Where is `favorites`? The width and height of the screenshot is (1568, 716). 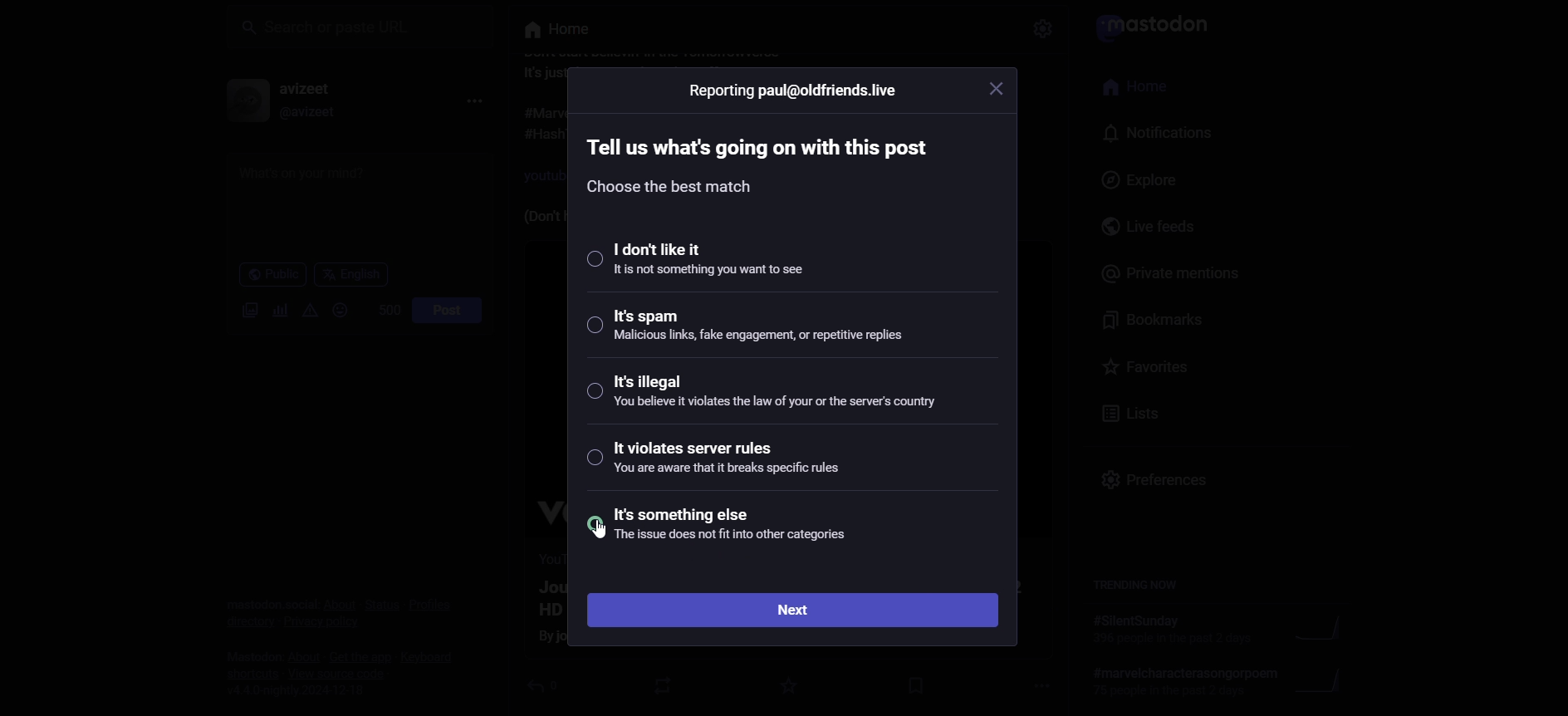 favorites is located at coordinates (1144, 365).